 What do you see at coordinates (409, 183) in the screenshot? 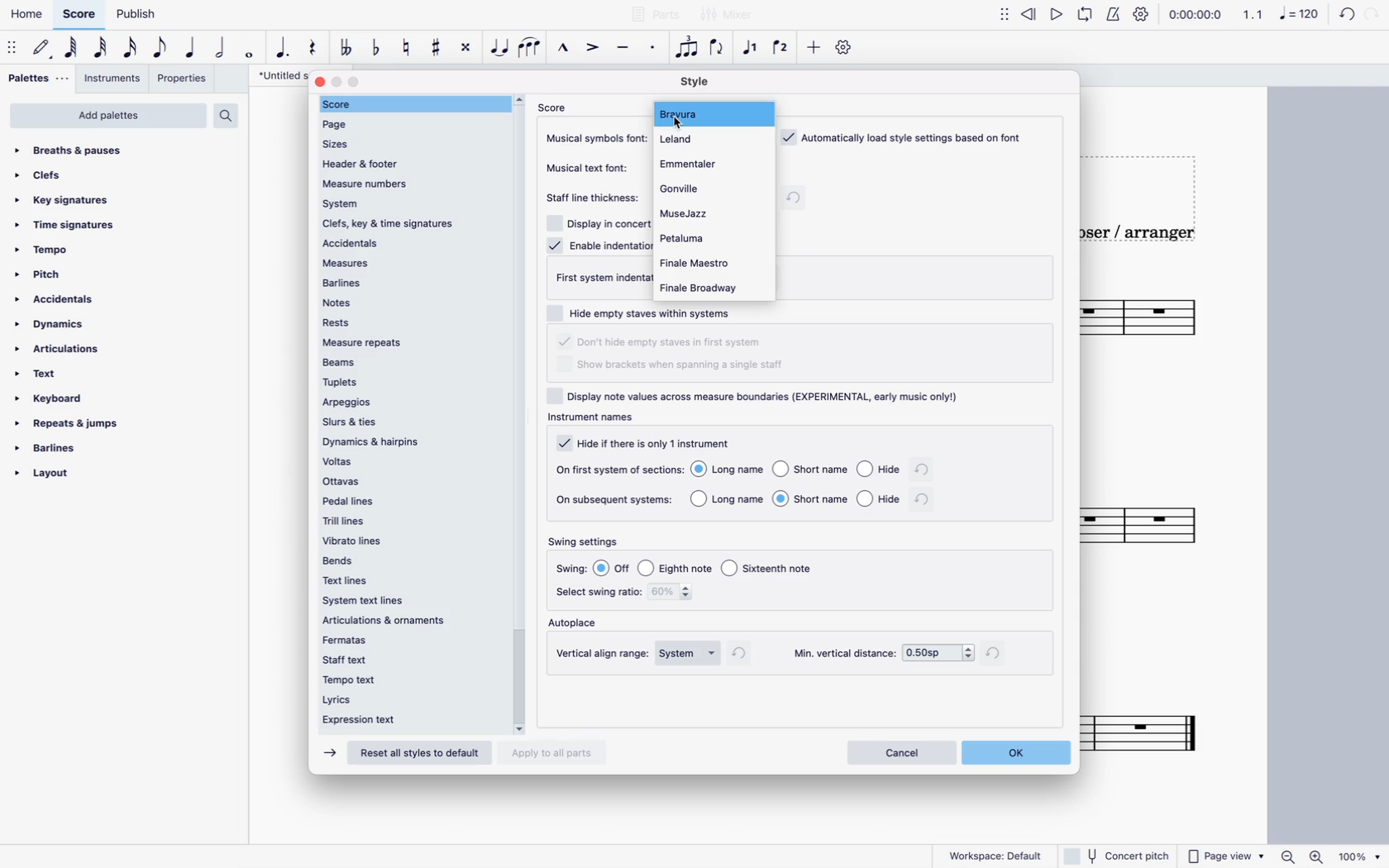
I see `measure numbers` at bounding box center [409, 183].